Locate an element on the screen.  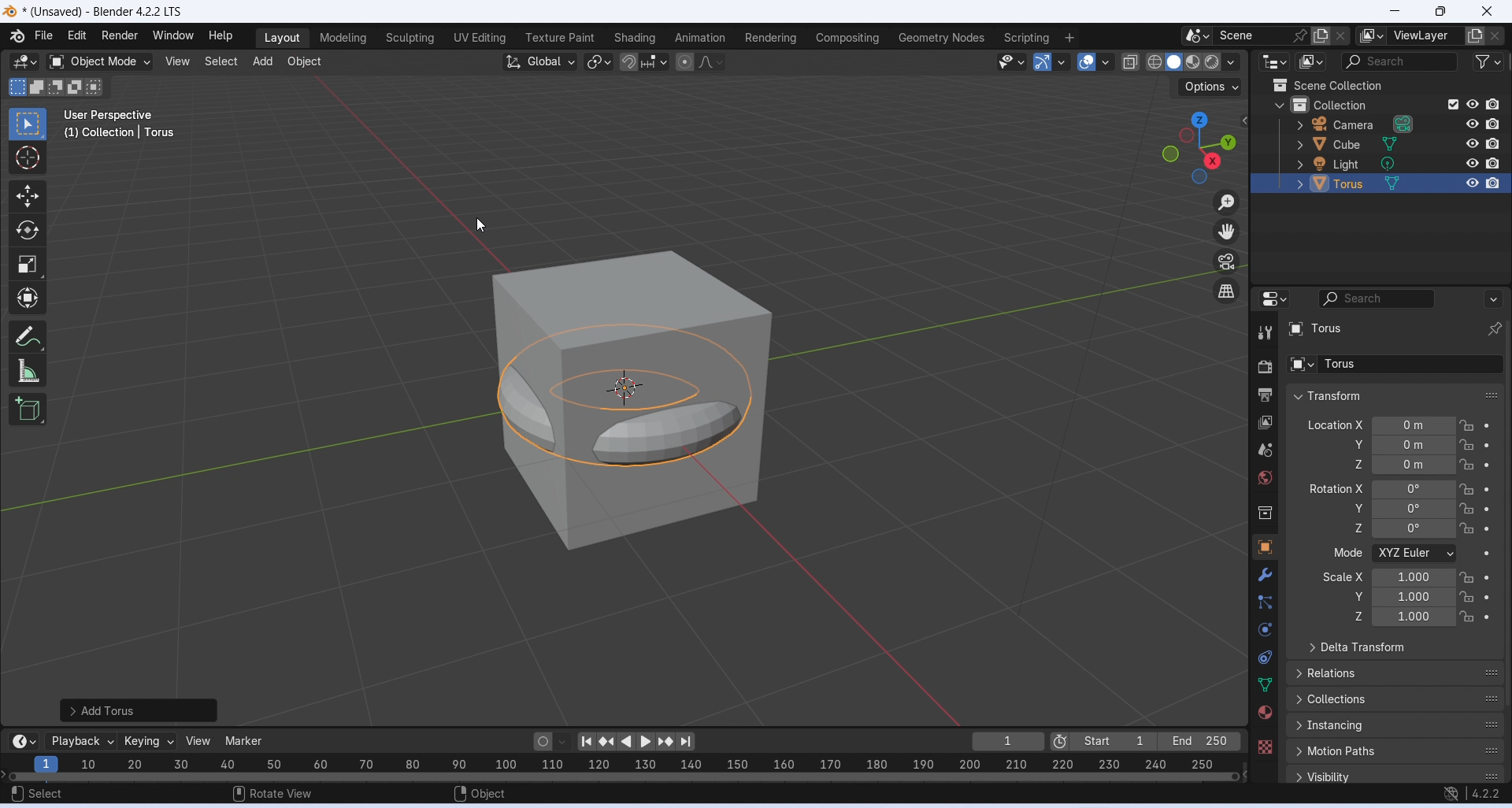
Global is located at coordinates (540, 61).